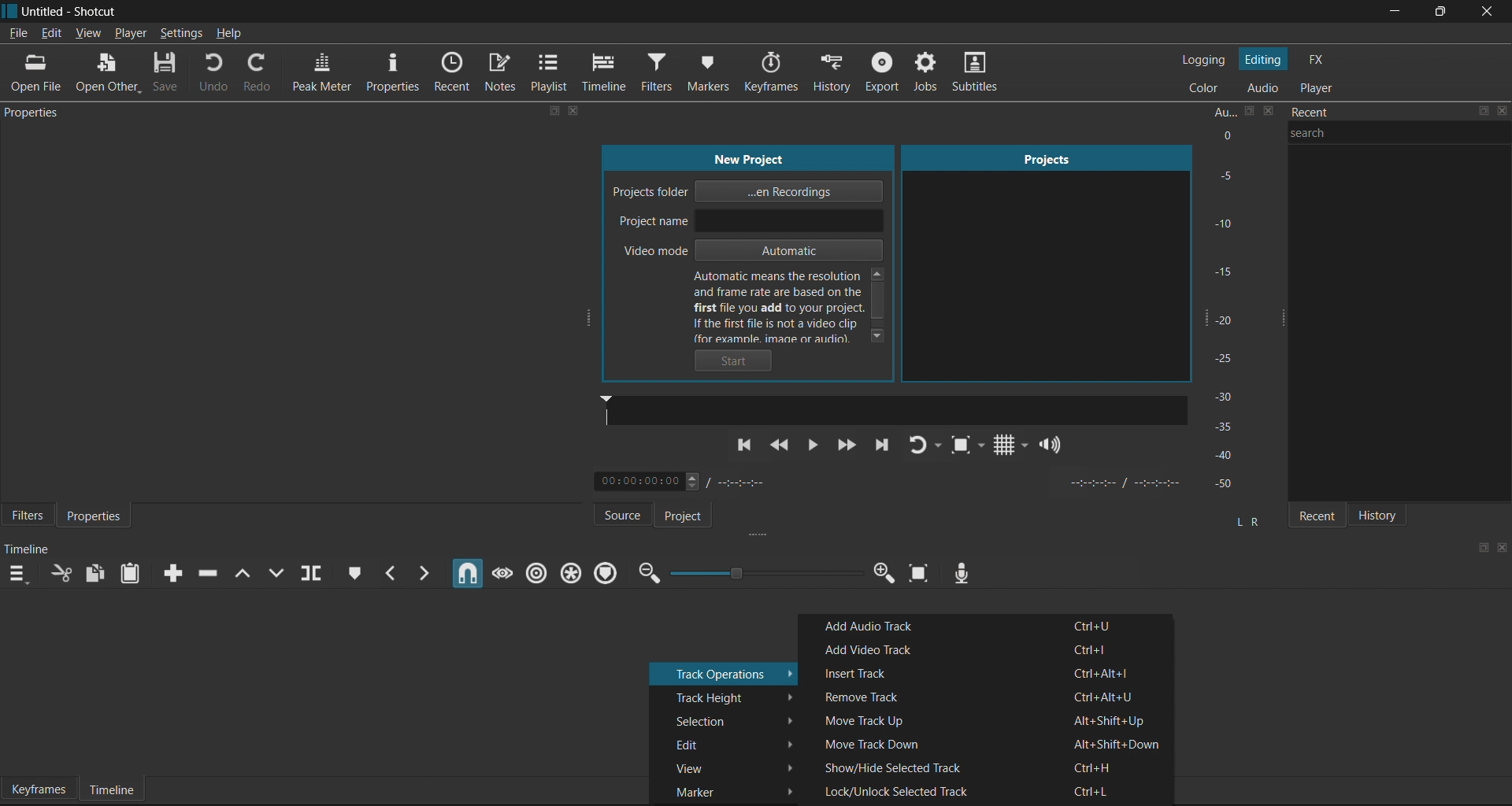 The height and width of the screenshot is (806, 1512). Describe the element at coordinates (880, 75) in the screenshot. I see `Export` at that location.